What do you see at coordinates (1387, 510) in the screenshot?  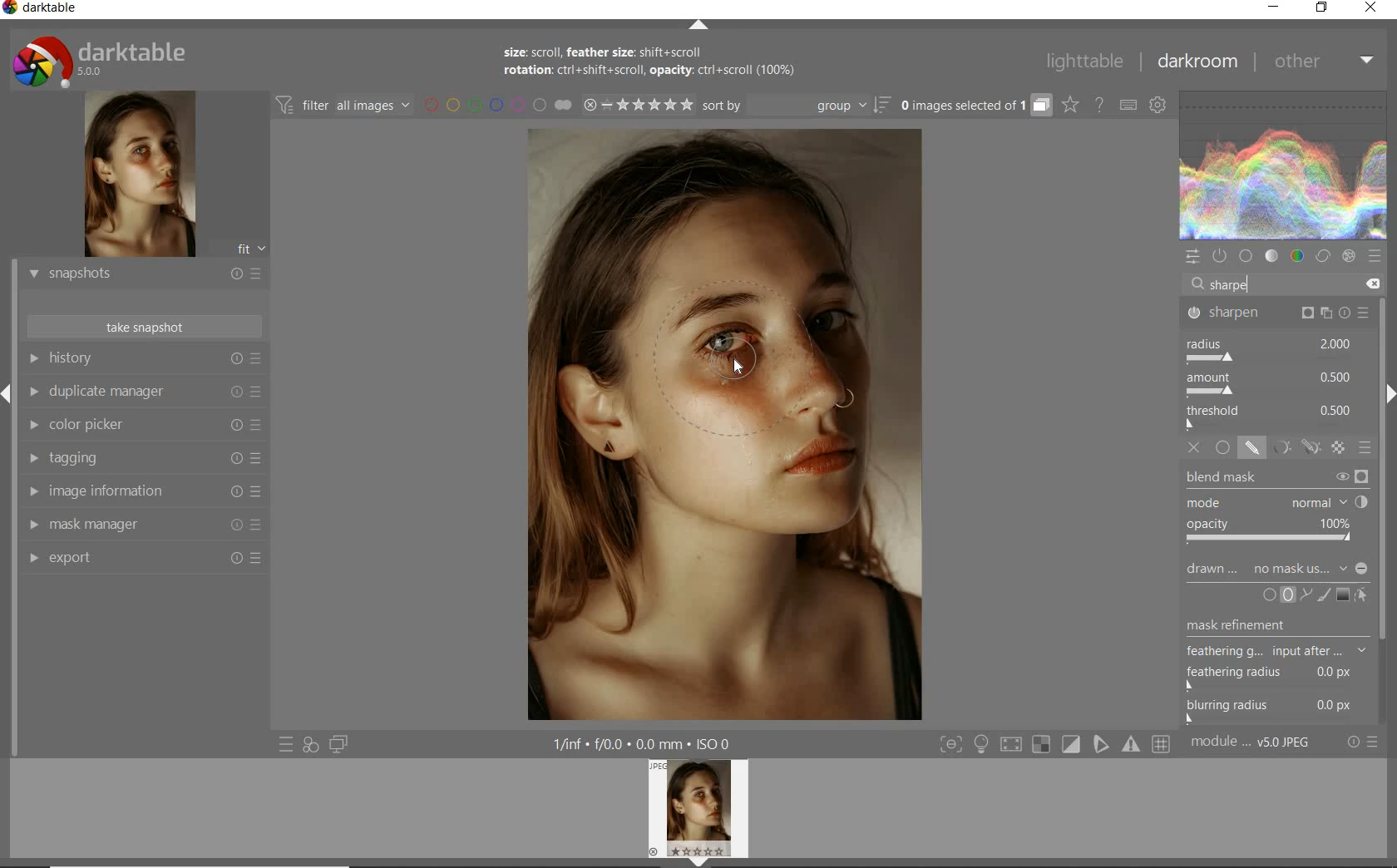 I see `scrollbar` at bounding box center [1387, 510].